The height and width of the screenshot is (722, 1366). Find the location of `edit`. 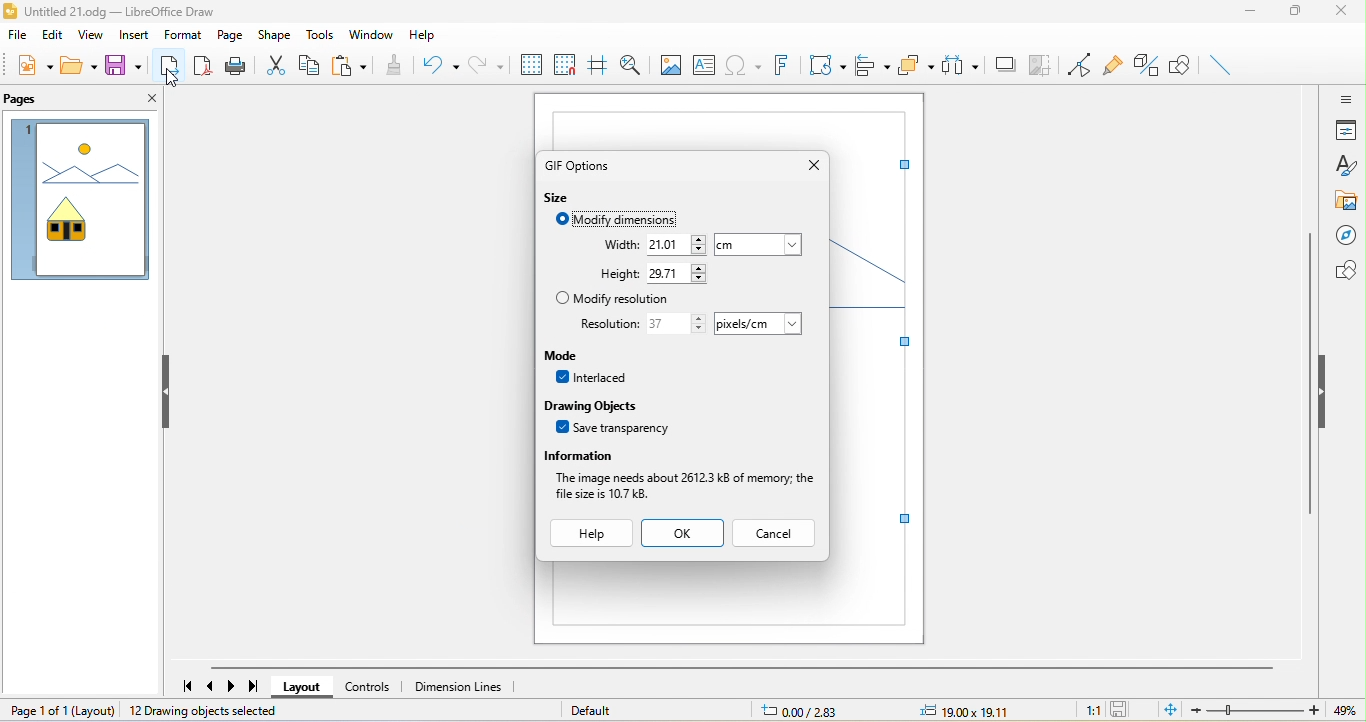

edit is located at coordinates (56, 34).